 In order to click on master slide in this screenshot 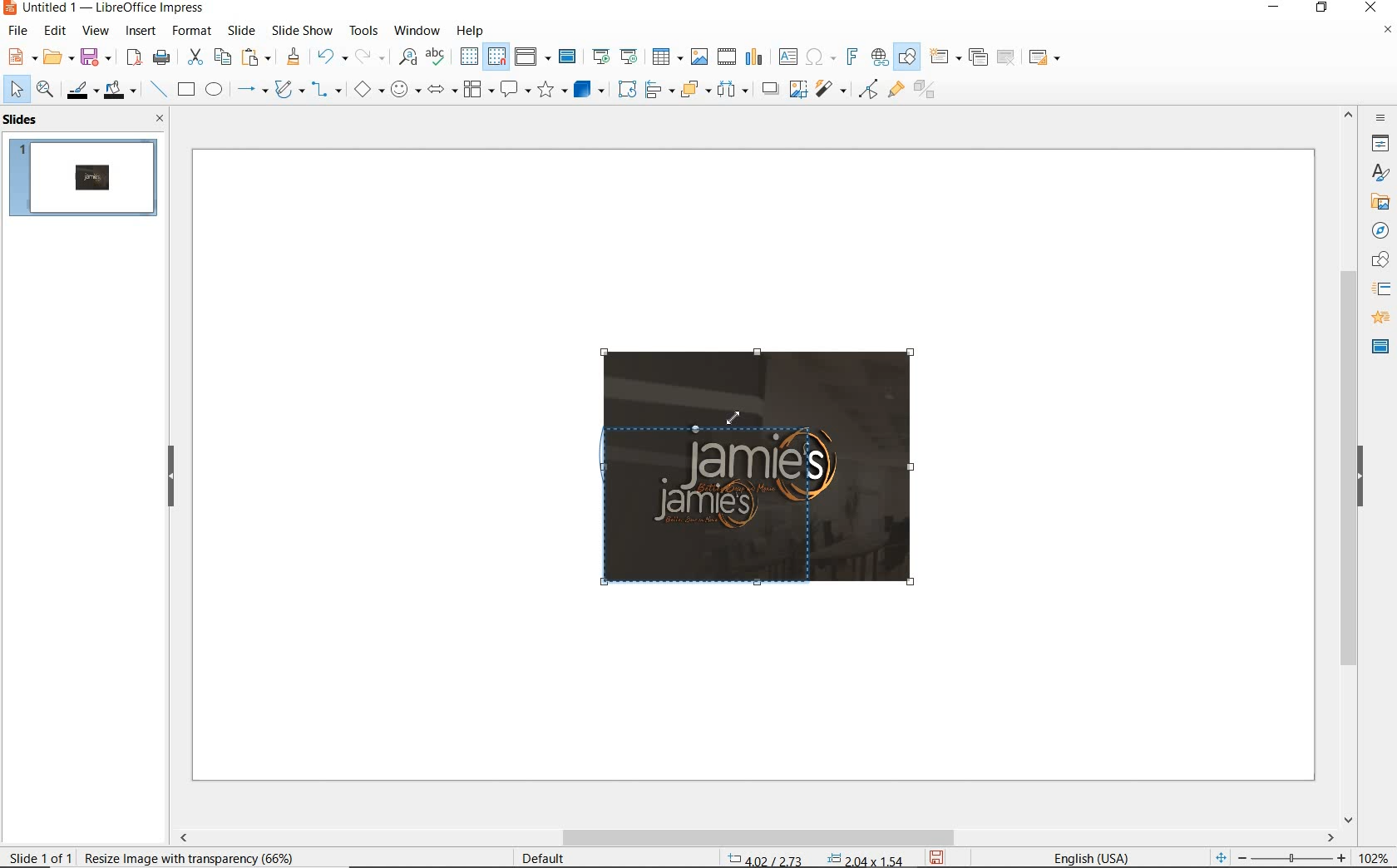, I will do `click(570, 57)`.